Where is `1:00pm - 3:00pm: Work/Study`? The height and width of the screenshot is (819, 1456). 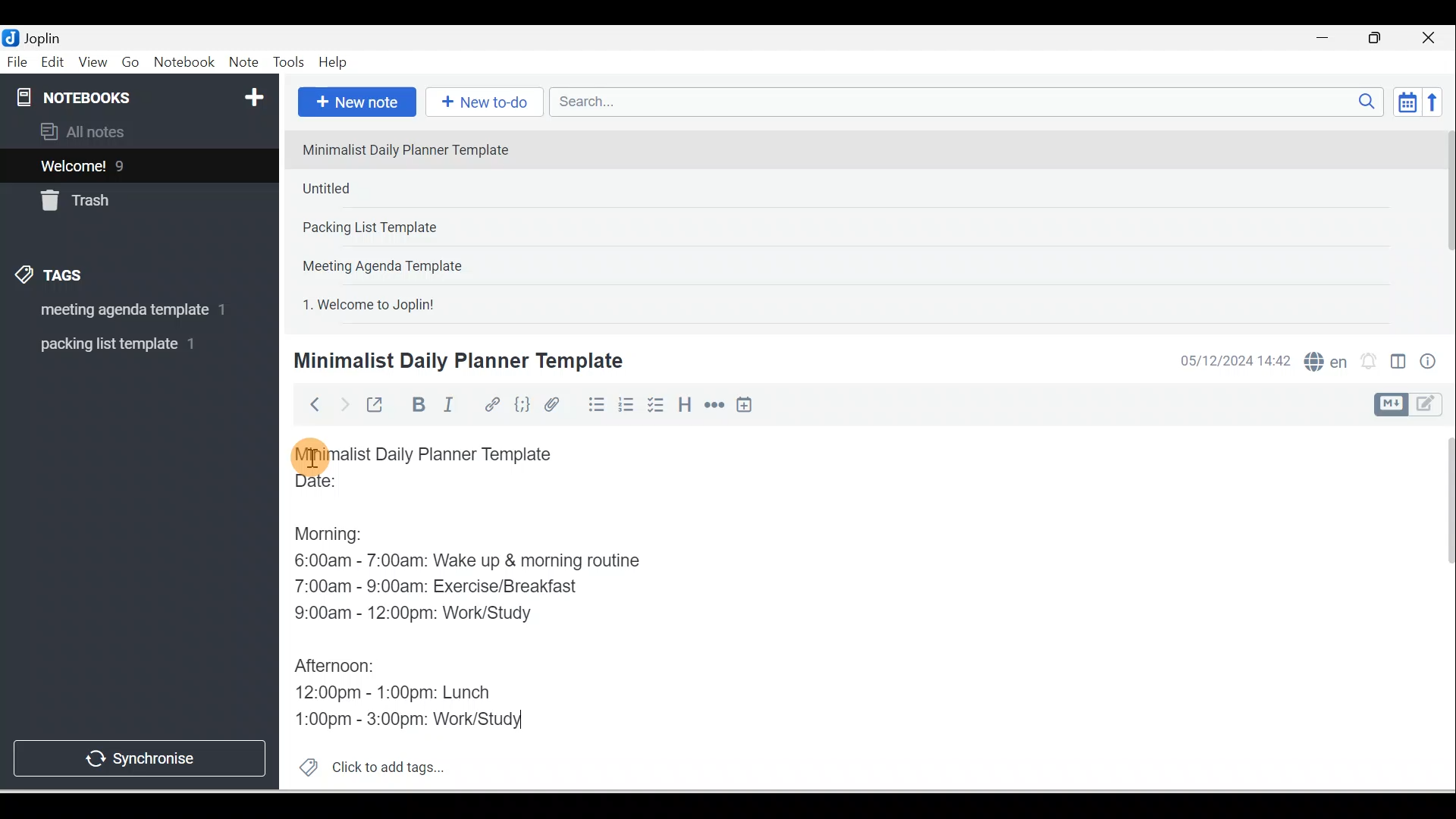
1:00pm - 3:00pm: Work/Study is located at coordinates (406, 718).